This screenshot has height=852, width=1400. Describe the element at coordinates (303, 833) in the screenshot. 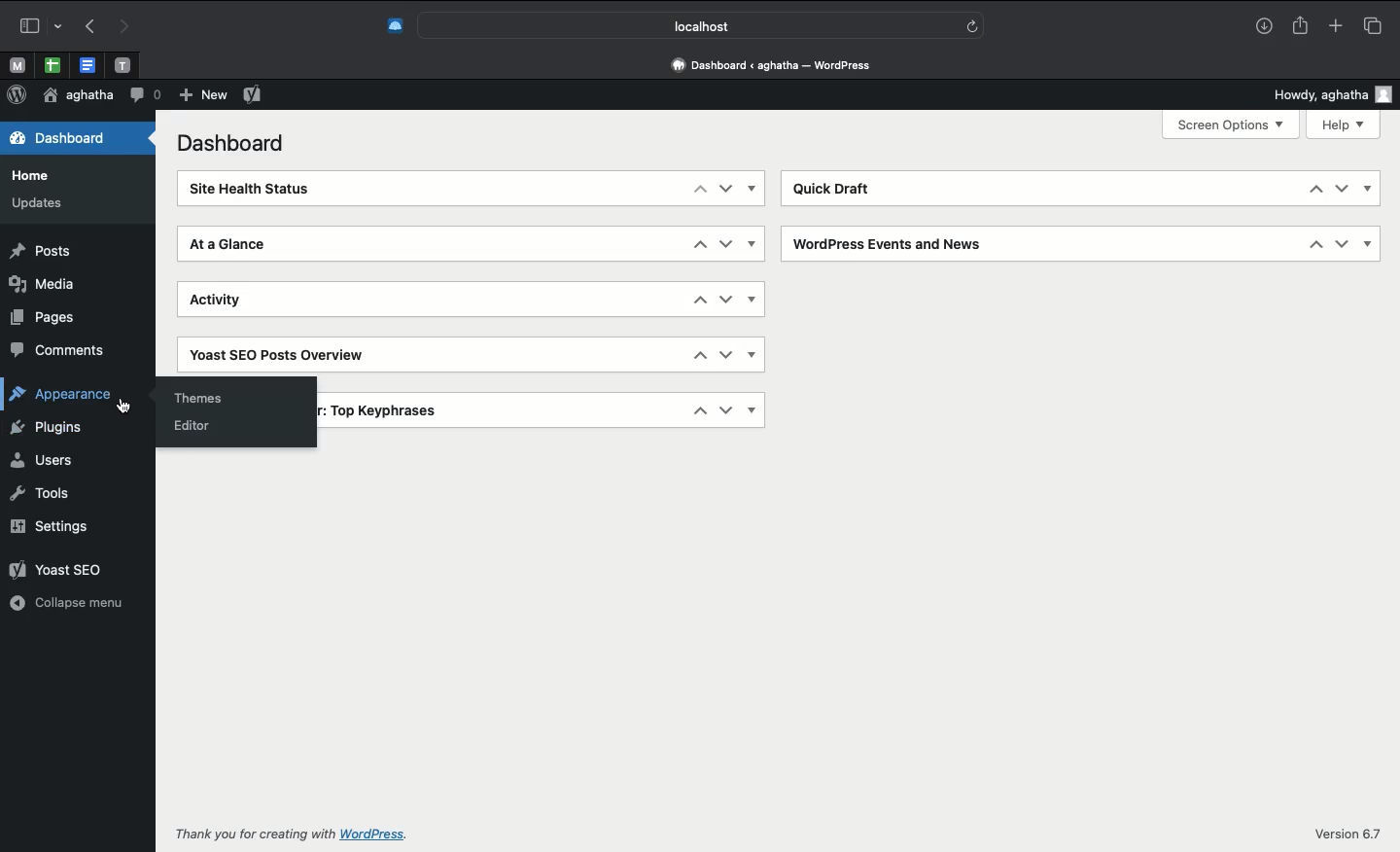

I see `Thank you for creating with wordpress` at that location.